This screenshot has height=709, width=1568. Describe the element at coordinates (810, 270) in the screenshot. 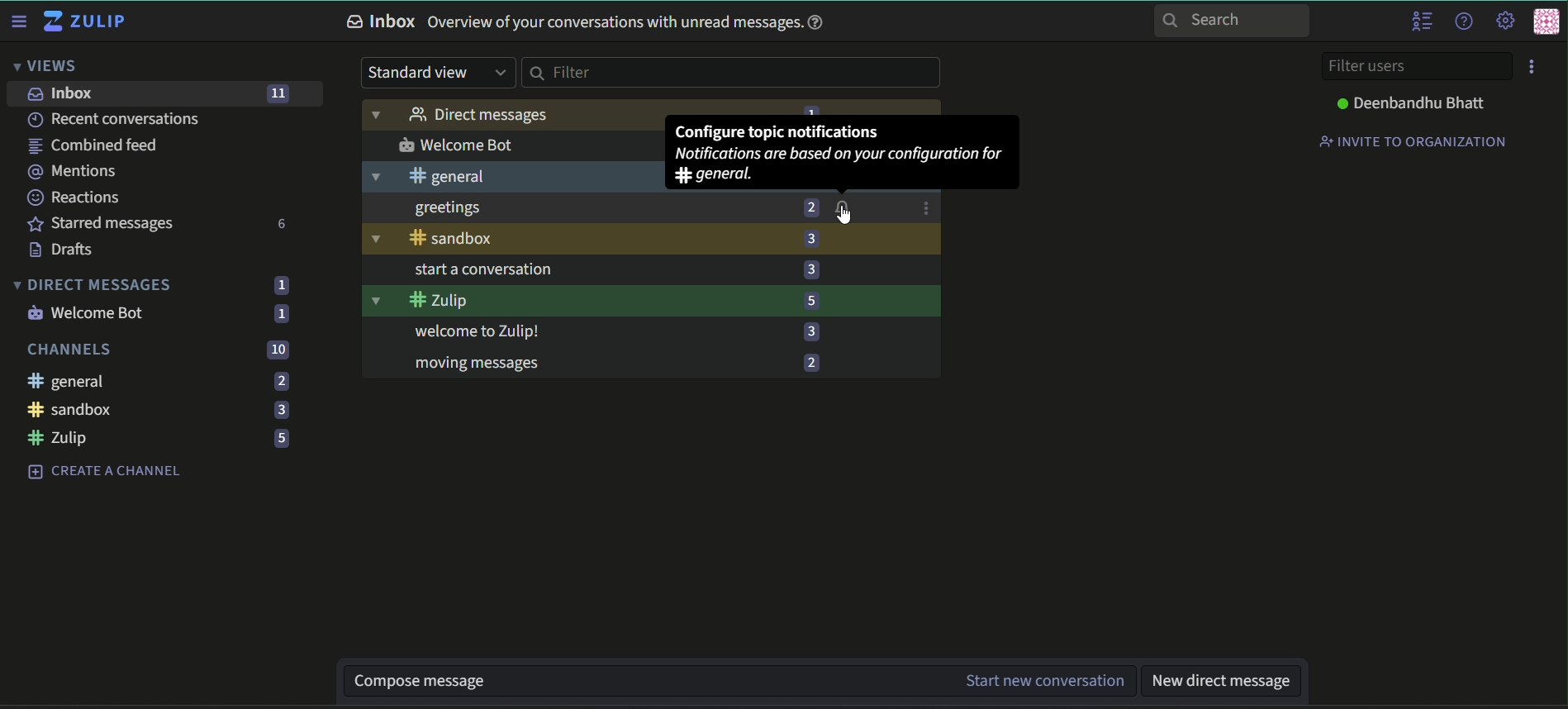

I see `number` at that location.